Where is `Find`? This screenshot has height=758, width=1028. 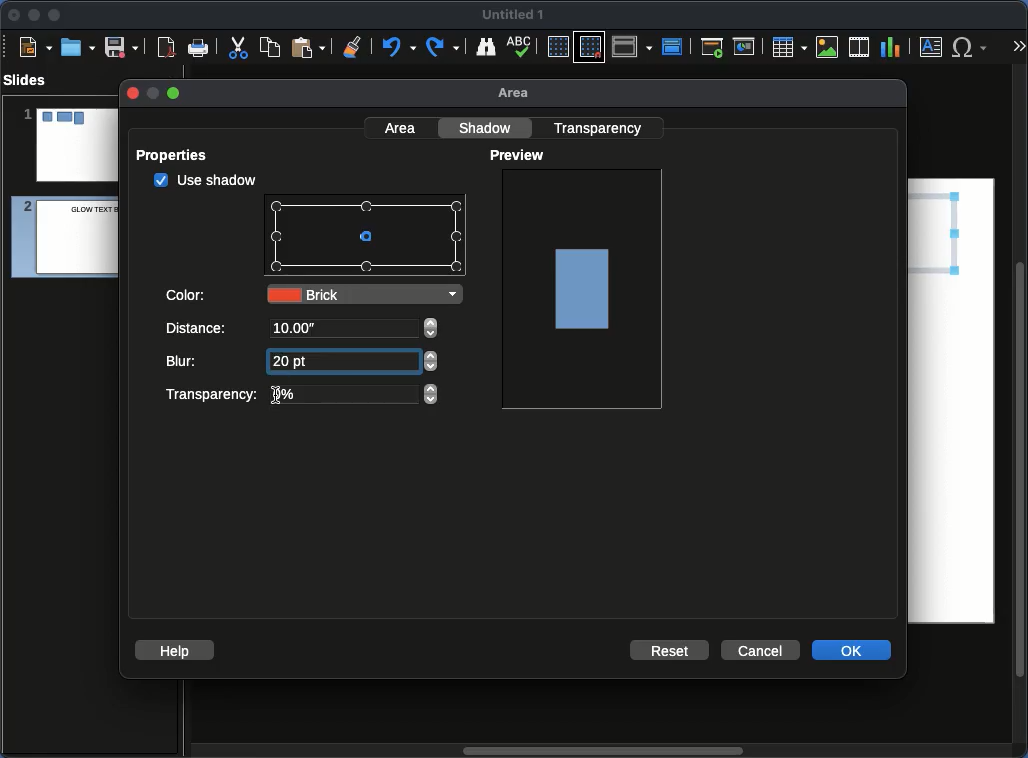
Find is located at coordinates (485, 46).